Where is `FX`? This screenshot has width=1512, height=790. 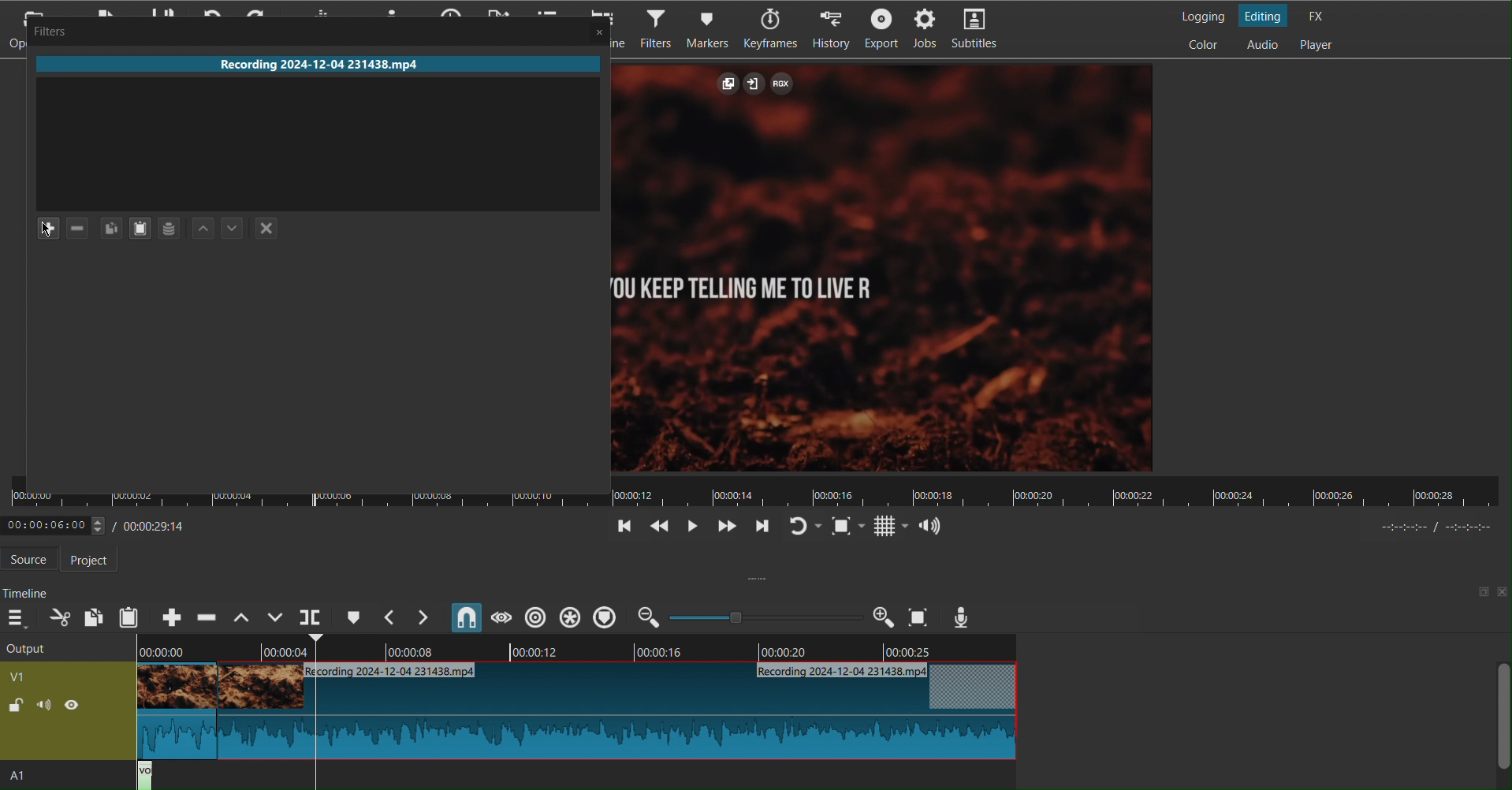
FX is located at coordinates (1320, 15).